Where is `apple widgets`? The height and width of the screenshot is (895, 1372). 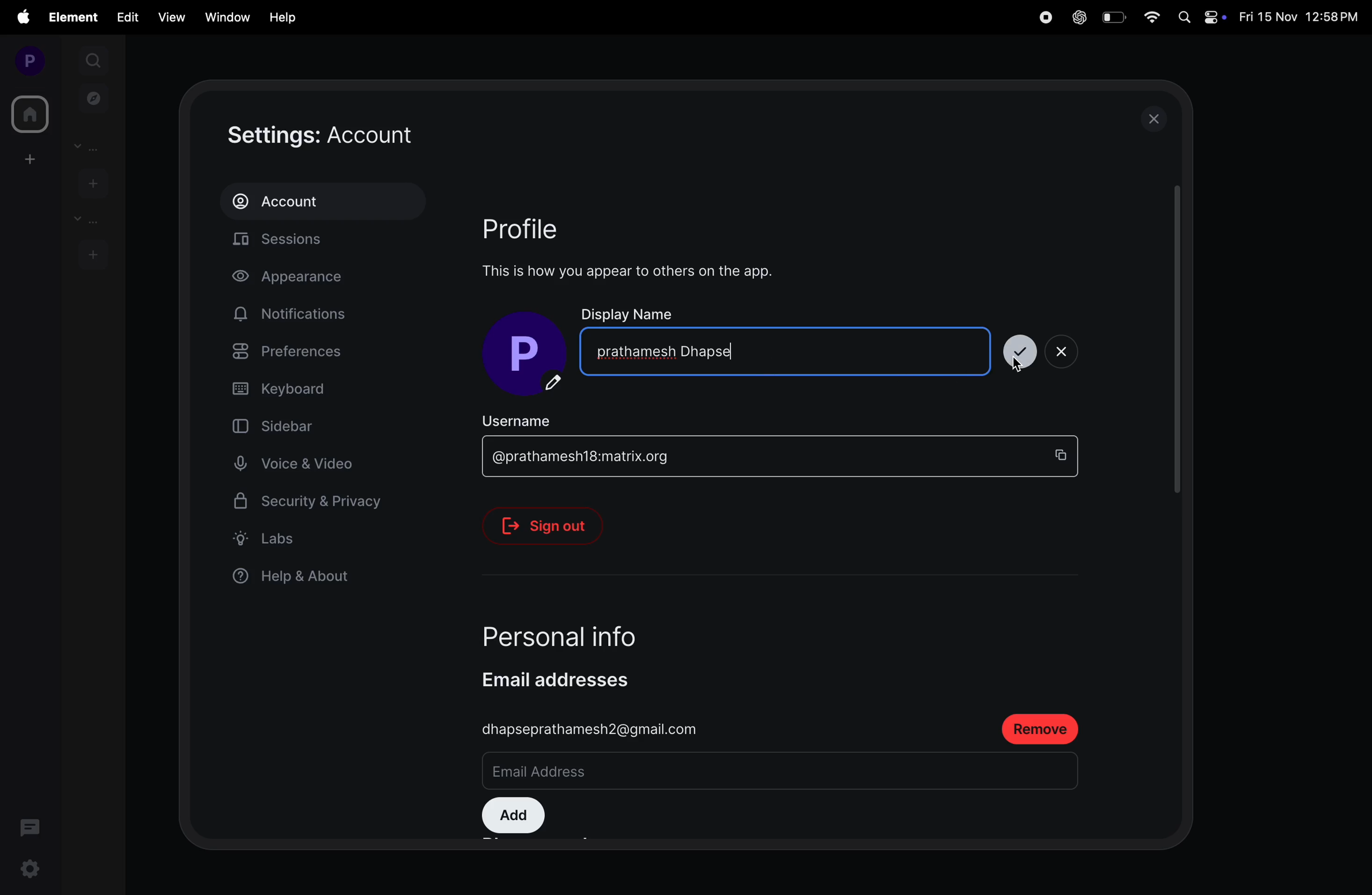
apple widgets is located at coordinates (1201, 16).